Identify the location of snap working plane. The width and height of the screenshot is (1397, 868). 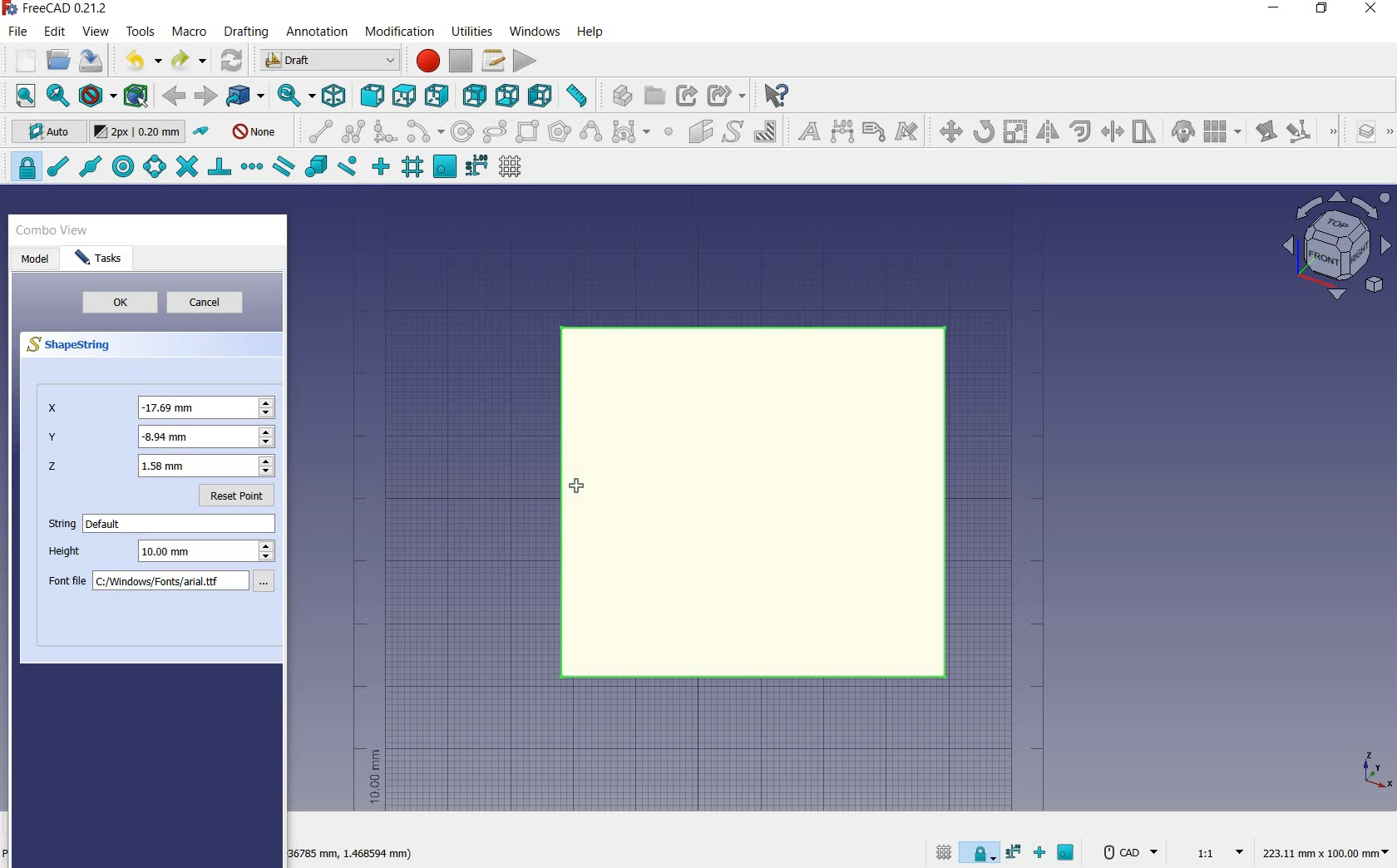
(443, 167).